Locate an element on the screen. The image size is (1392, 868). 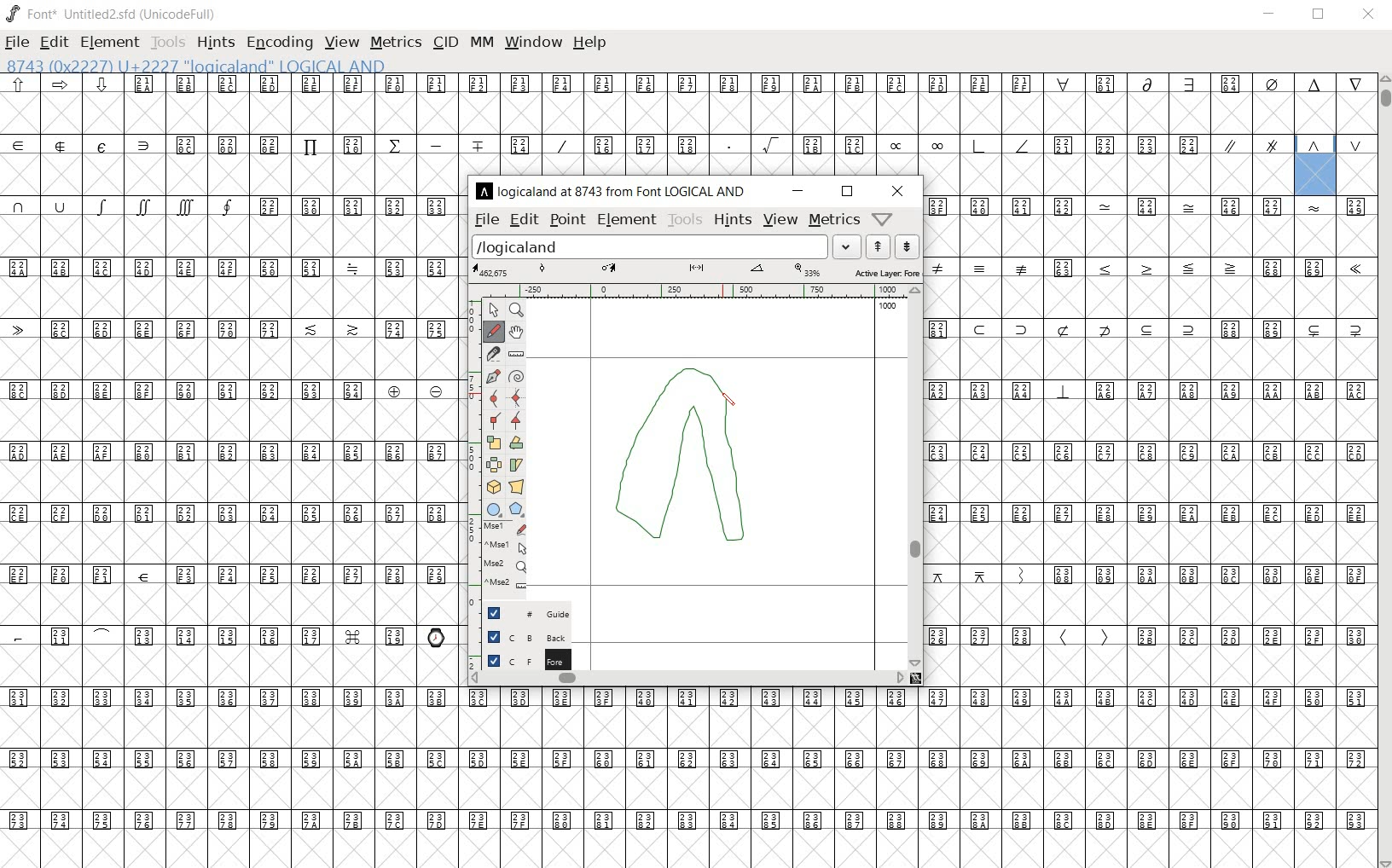
view is located at coordinates (341, 42).